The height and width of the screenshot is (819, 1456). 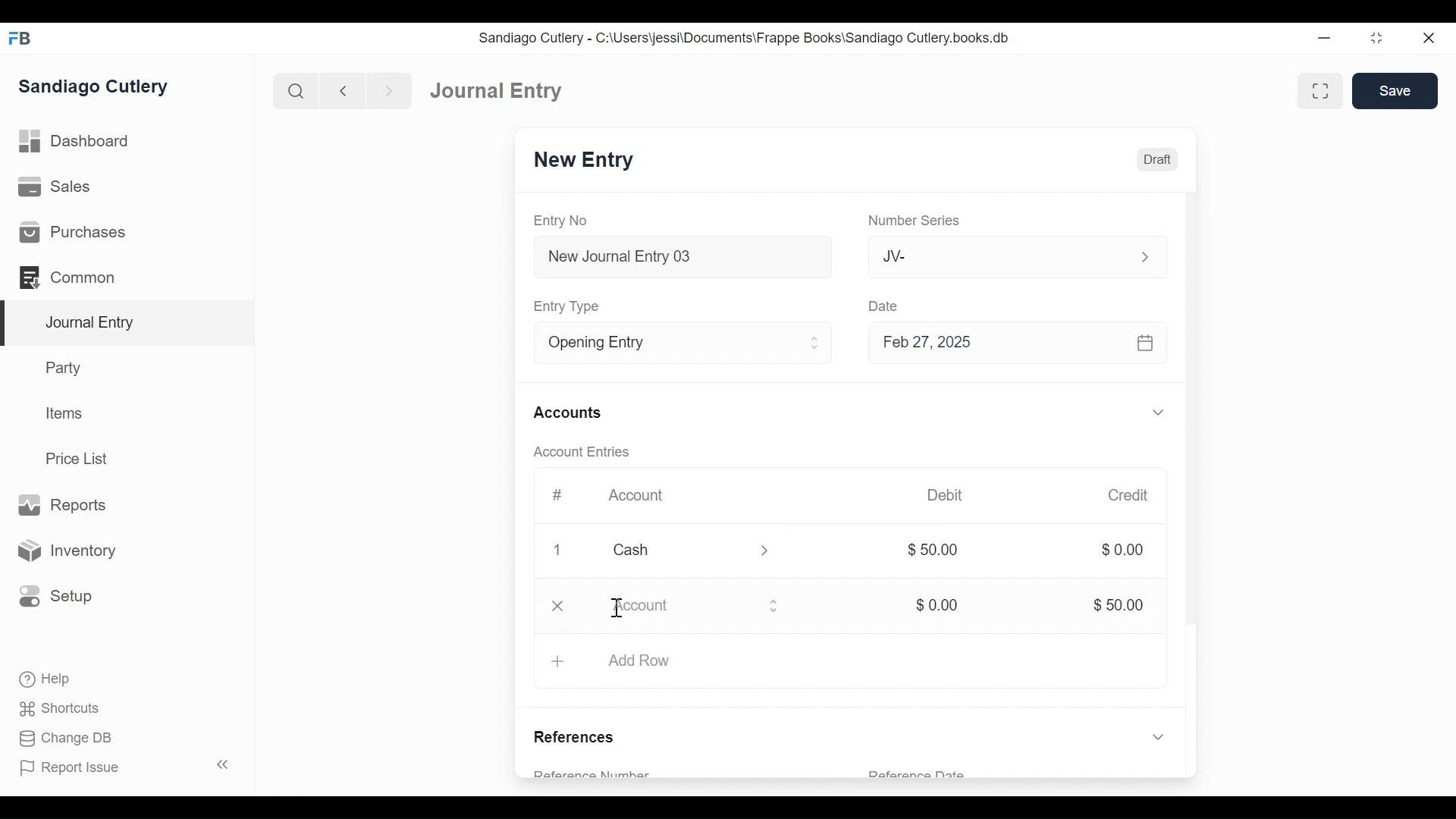 I want to click on Close, so click(x=560, y=551).